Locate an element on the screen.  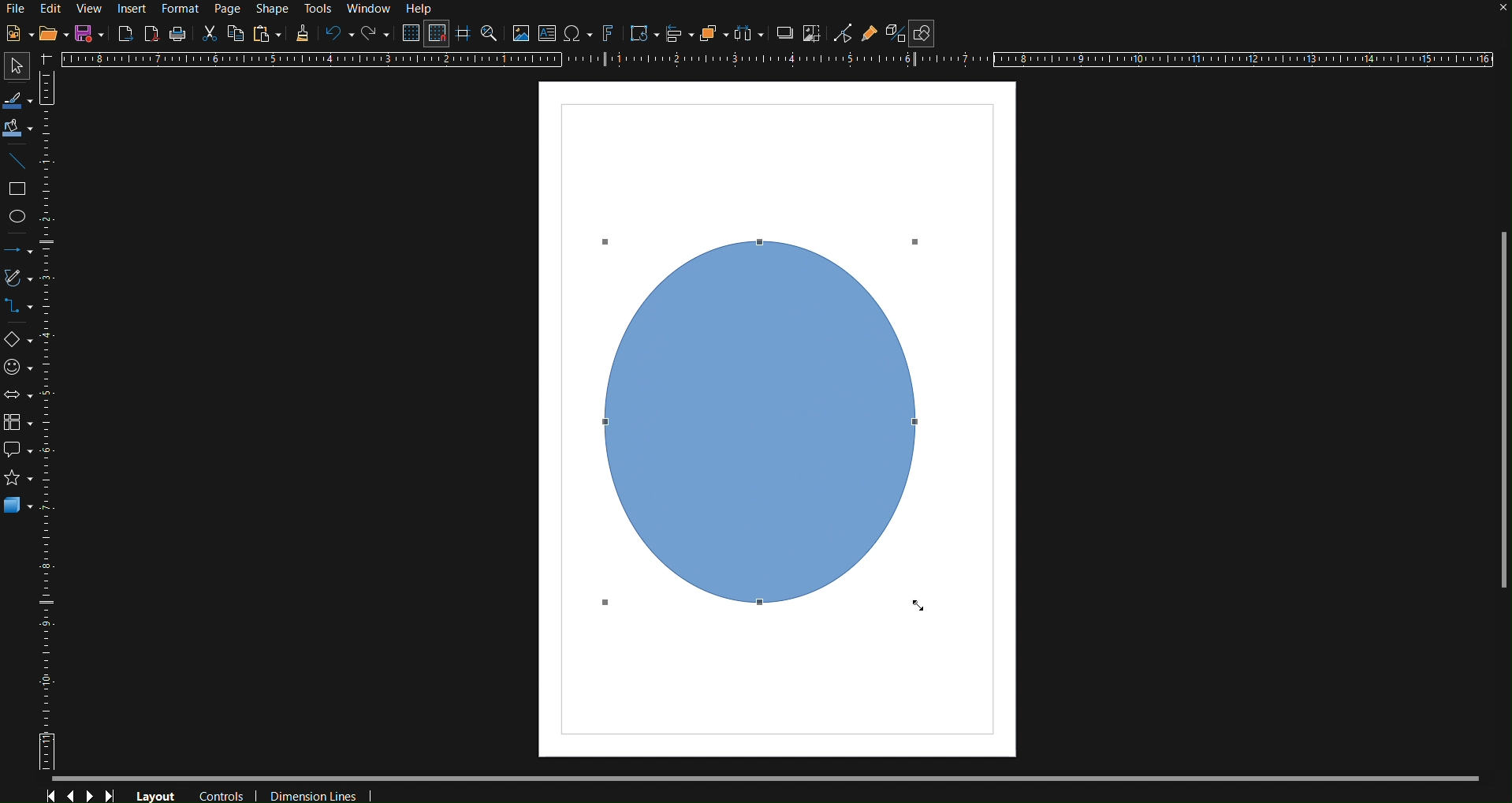
Ellipse is located at coordinates (20, 216).